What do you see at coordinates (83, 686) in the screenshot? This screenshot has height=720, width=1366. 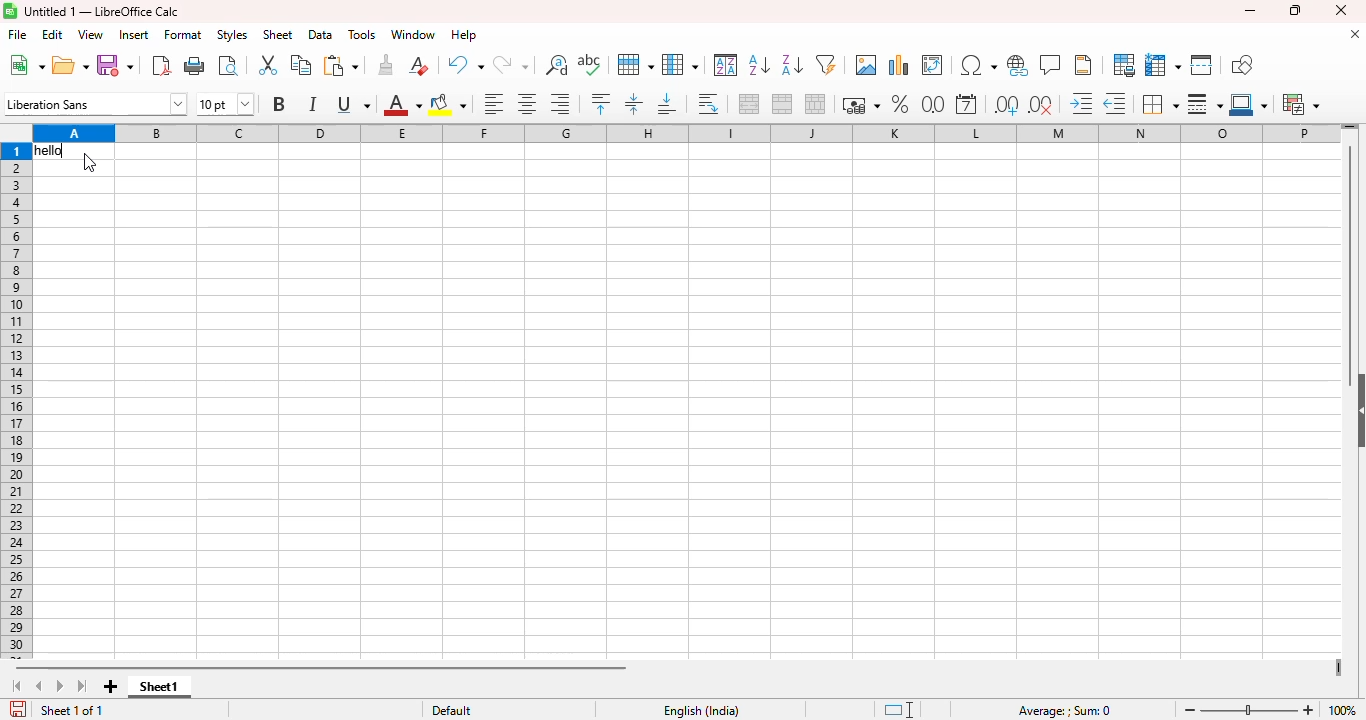 I see `scroll to last sheet` at bounding box center [83, 686].